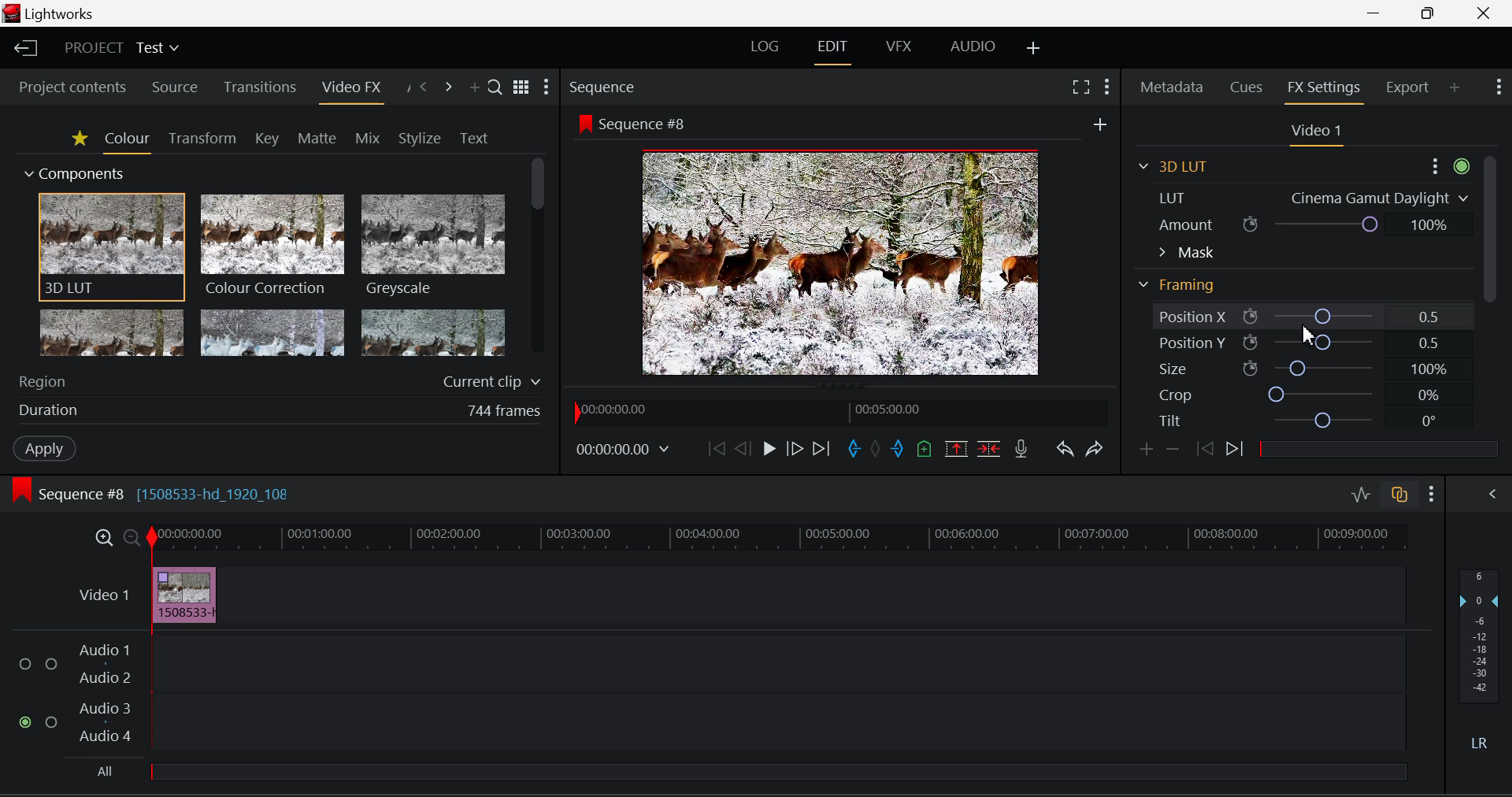 This screenshot has width=1512, height=797. What do you see at coordinates (838, 413) in the screenshot?
I see `Project Timeline Navigator` at bounding box center [838, 413].